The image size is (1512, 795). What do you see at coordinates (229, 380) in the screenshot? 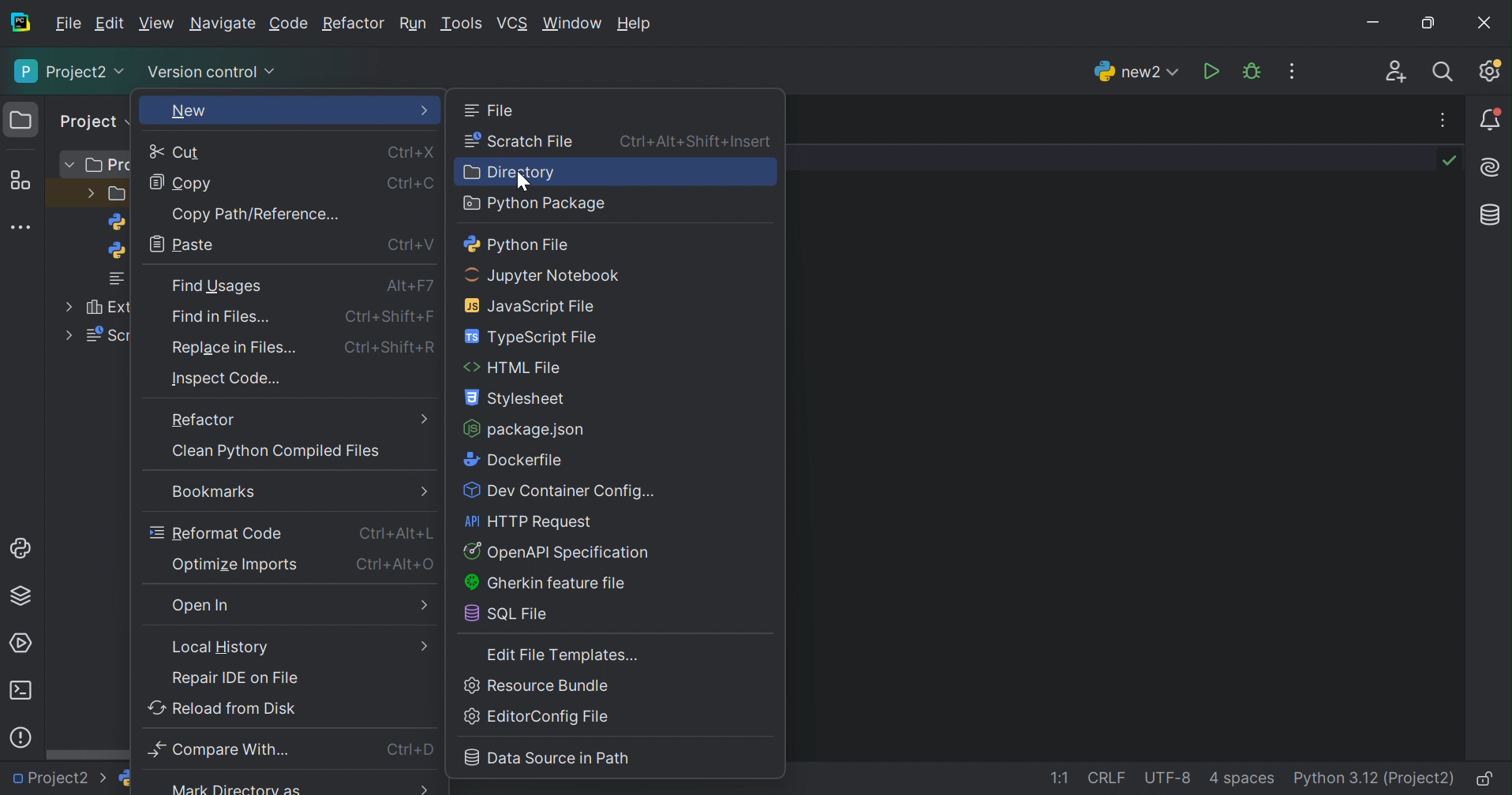
I see `Inspect code` at bounding box center [229, 380].